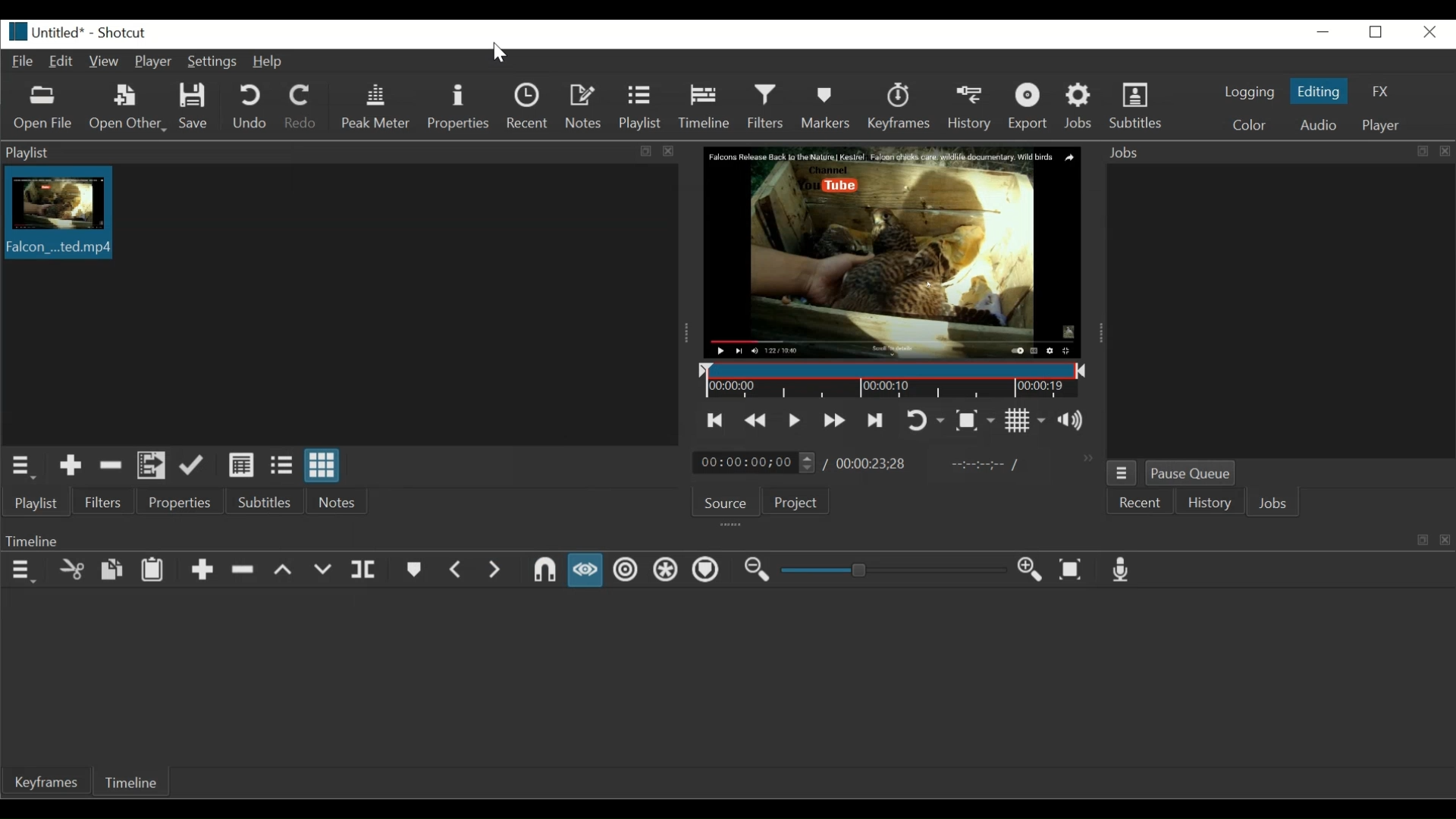 This screenshot has width=1456, height=819. What do you see at coordinates (152, 465) in the screenshot?
I see `Add files to the playlist` at bounding box center [152, 465].